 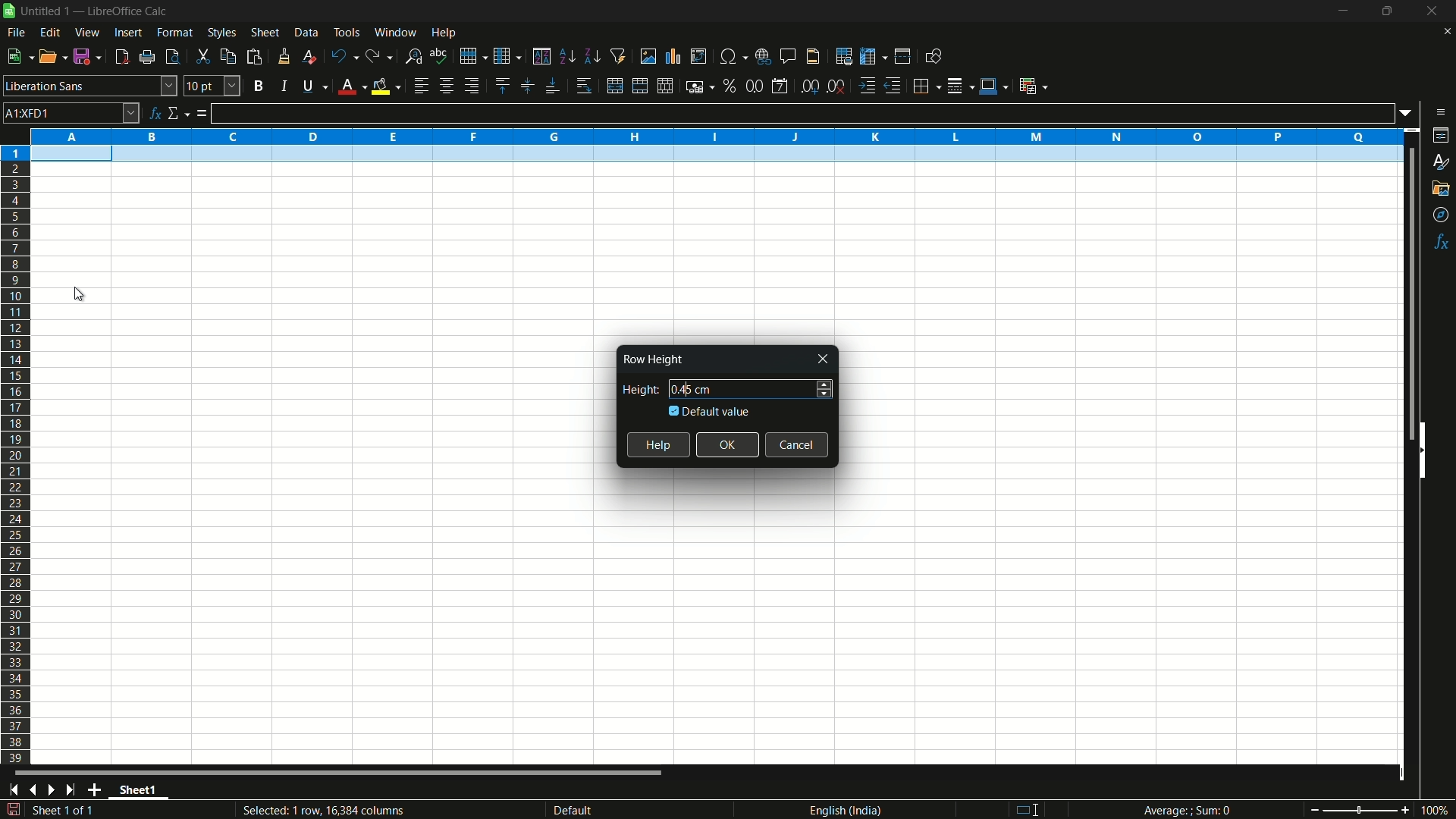 What do you see at coordinates (265, 33) in the screenshot?
I see `sheet menu` at bounding box center [265, 33].